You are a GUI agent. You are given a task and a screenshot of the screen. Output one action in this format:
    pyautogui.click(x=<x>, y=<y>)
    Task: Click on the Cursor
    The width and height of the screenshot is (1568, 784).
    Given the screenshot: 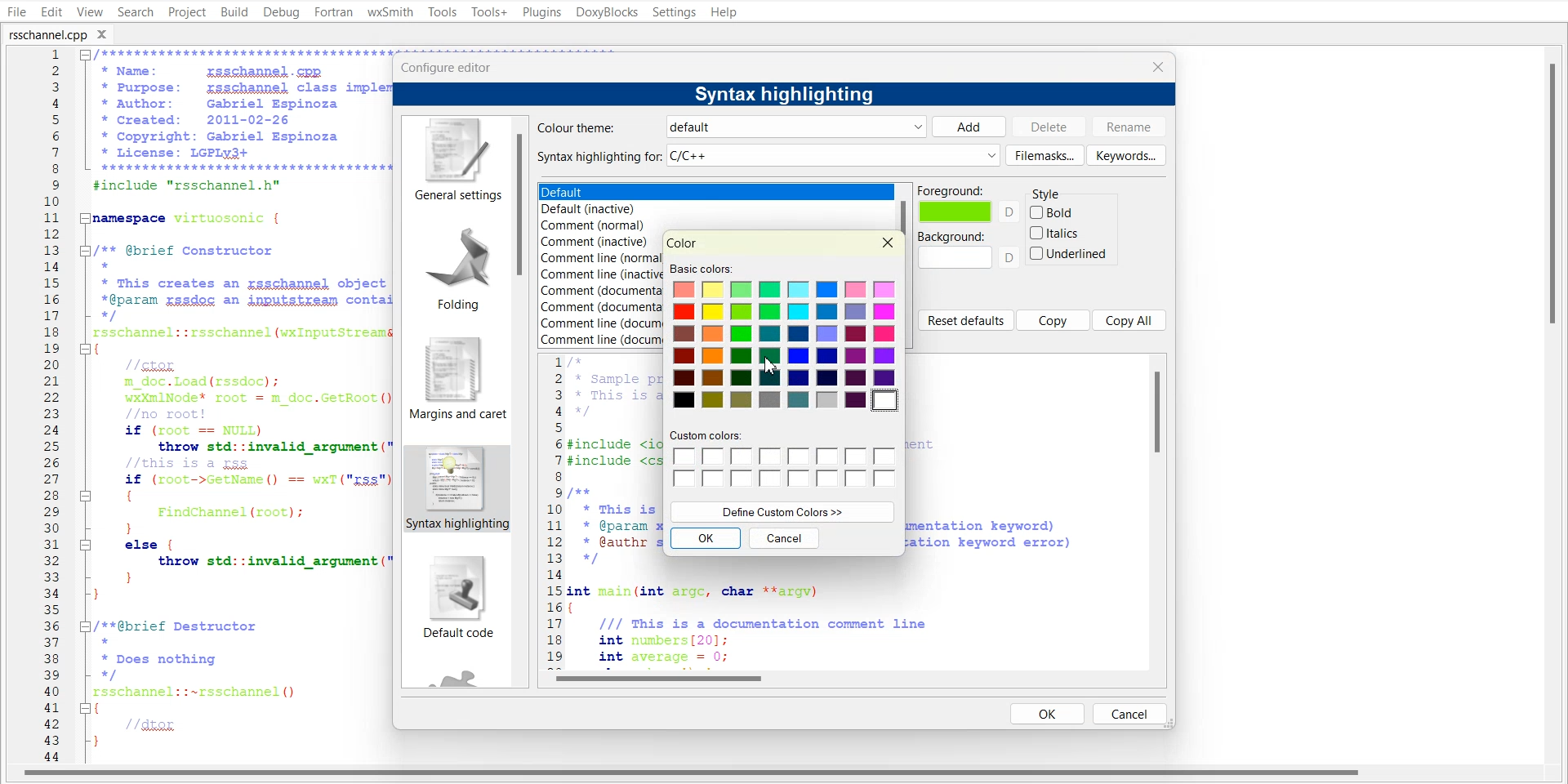 What is the action you would take?
    pyautogui.click(x=773, y=365)
    